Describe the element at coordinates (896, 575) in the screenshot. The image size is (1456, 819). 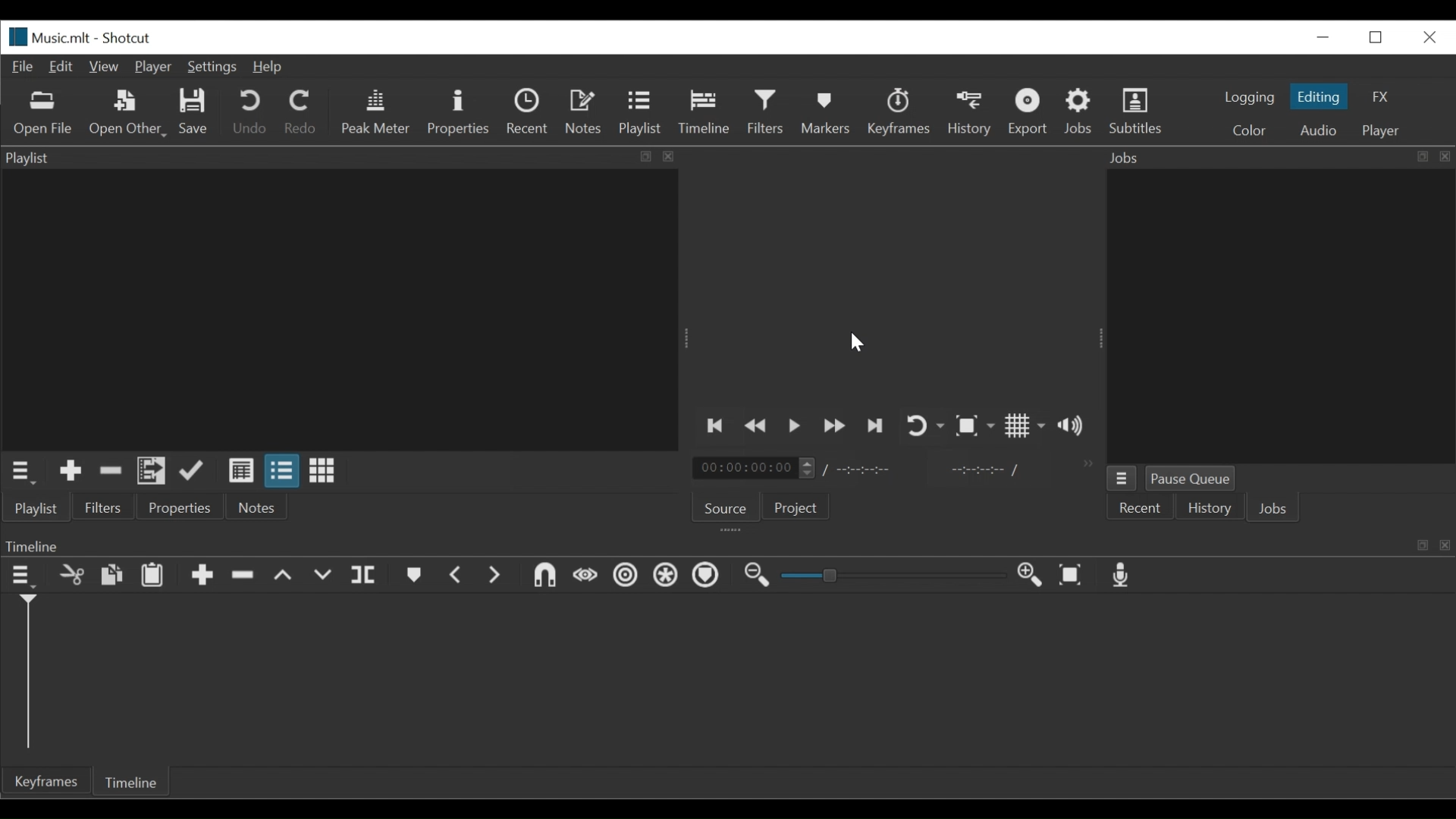
I see `Slider` at that location.